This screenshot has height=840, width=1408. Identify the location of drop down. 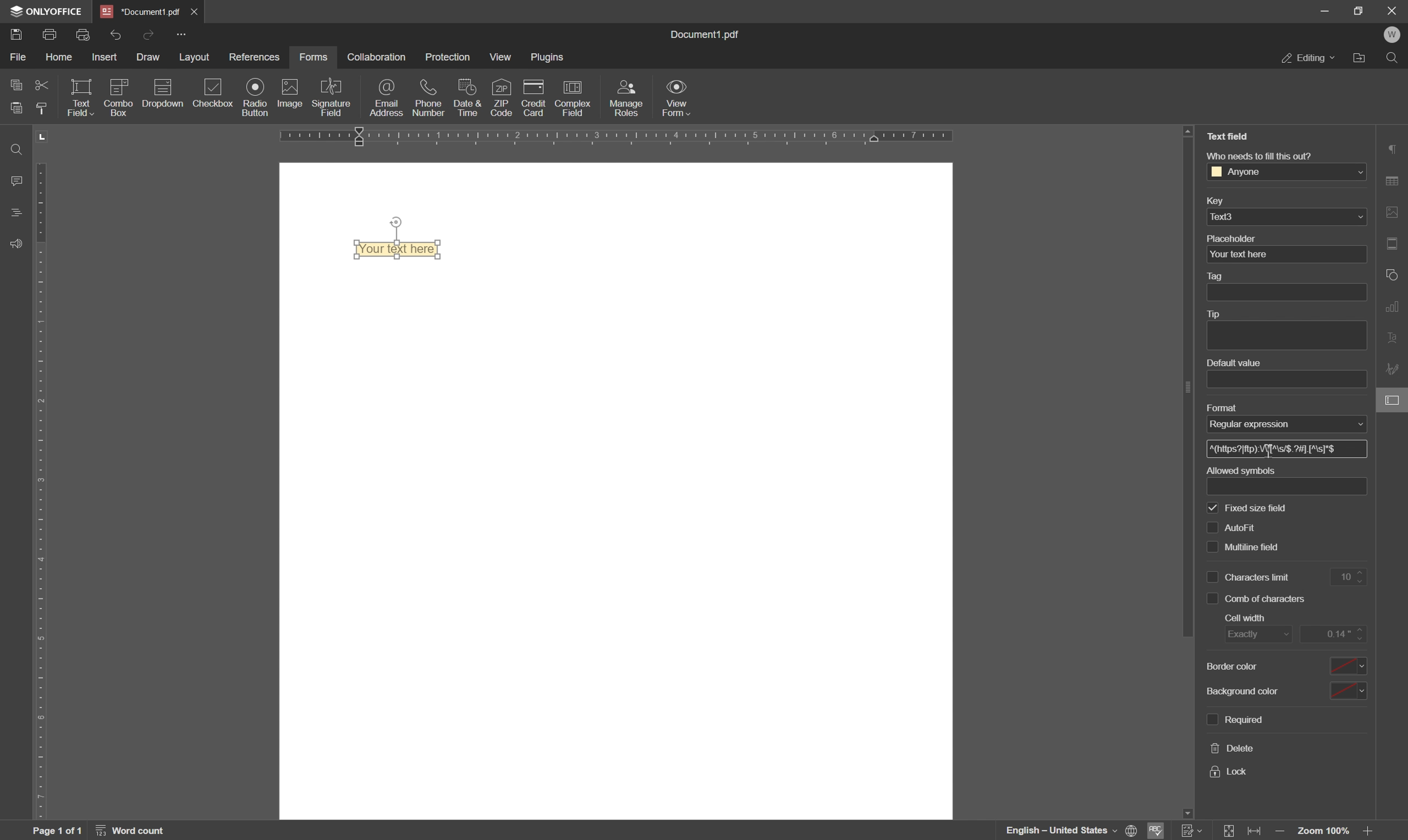
(1357, 173).